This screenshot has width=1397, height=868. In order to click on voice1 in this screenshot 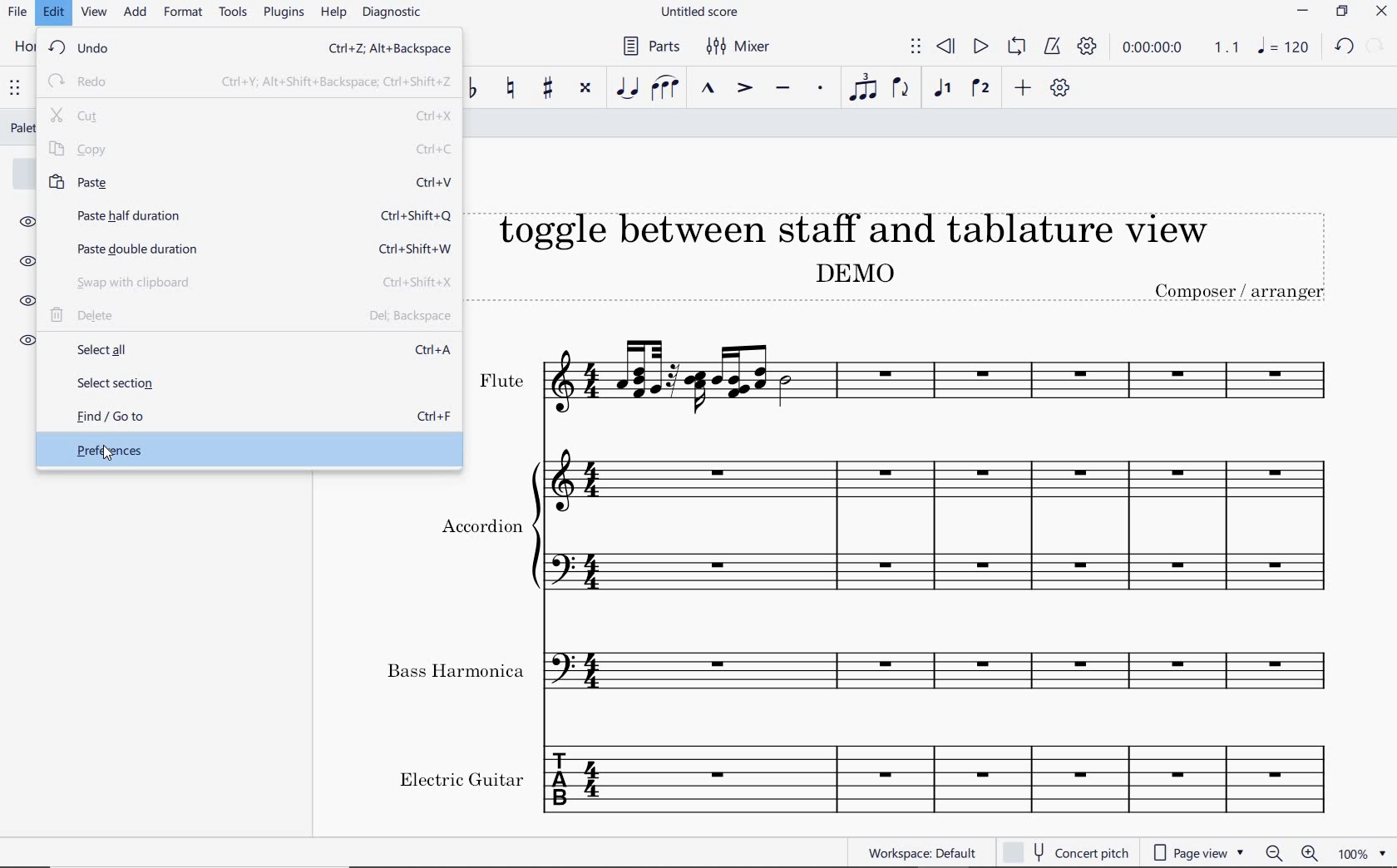, I will do `click(945, 89)`.